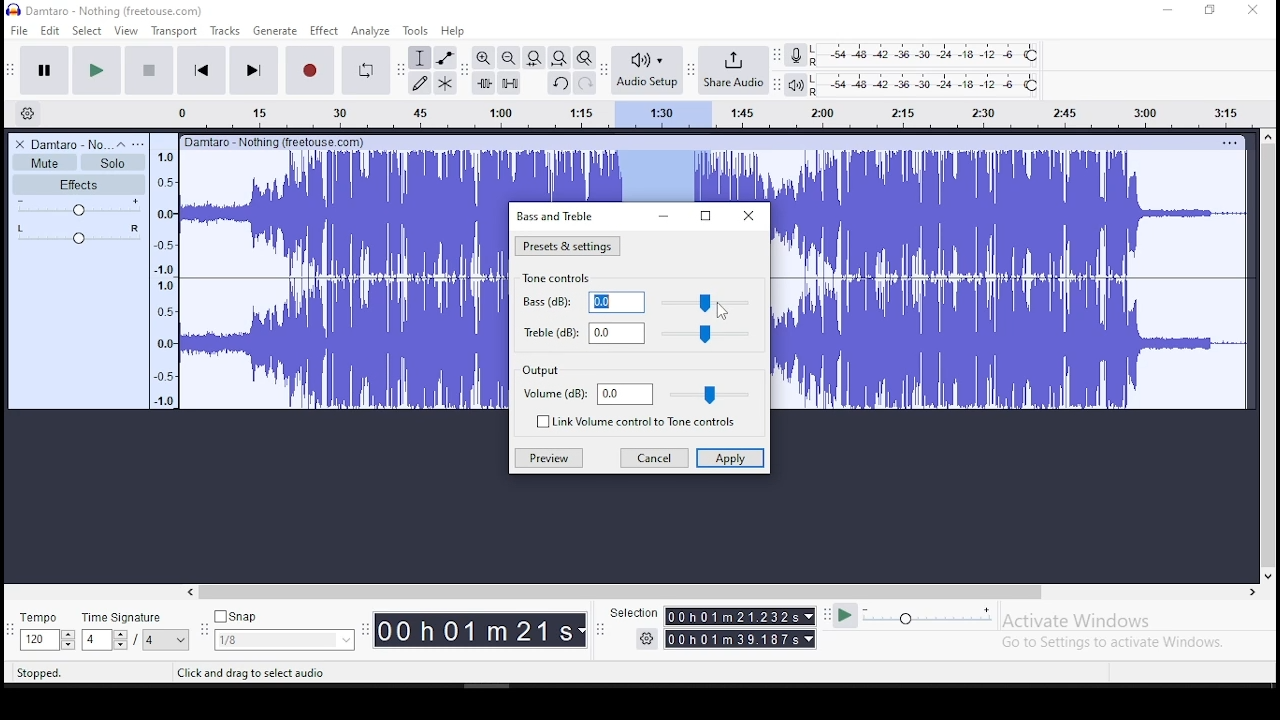 The width and height of the screenshot is (1280, 720). I want to click on Go to Settings to activate Windows., so click(1116, 642).